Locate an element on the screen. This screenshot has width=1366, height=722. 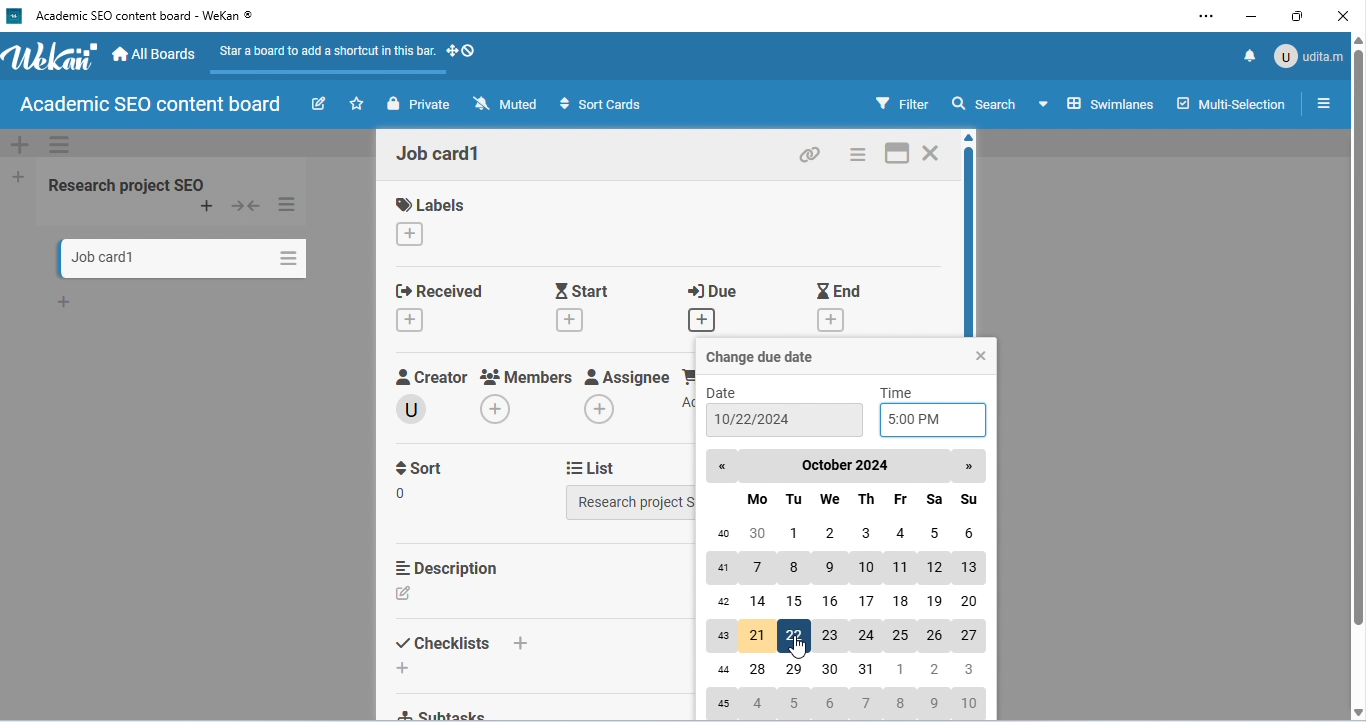
cursor movement is located at coordinates (798, 647).